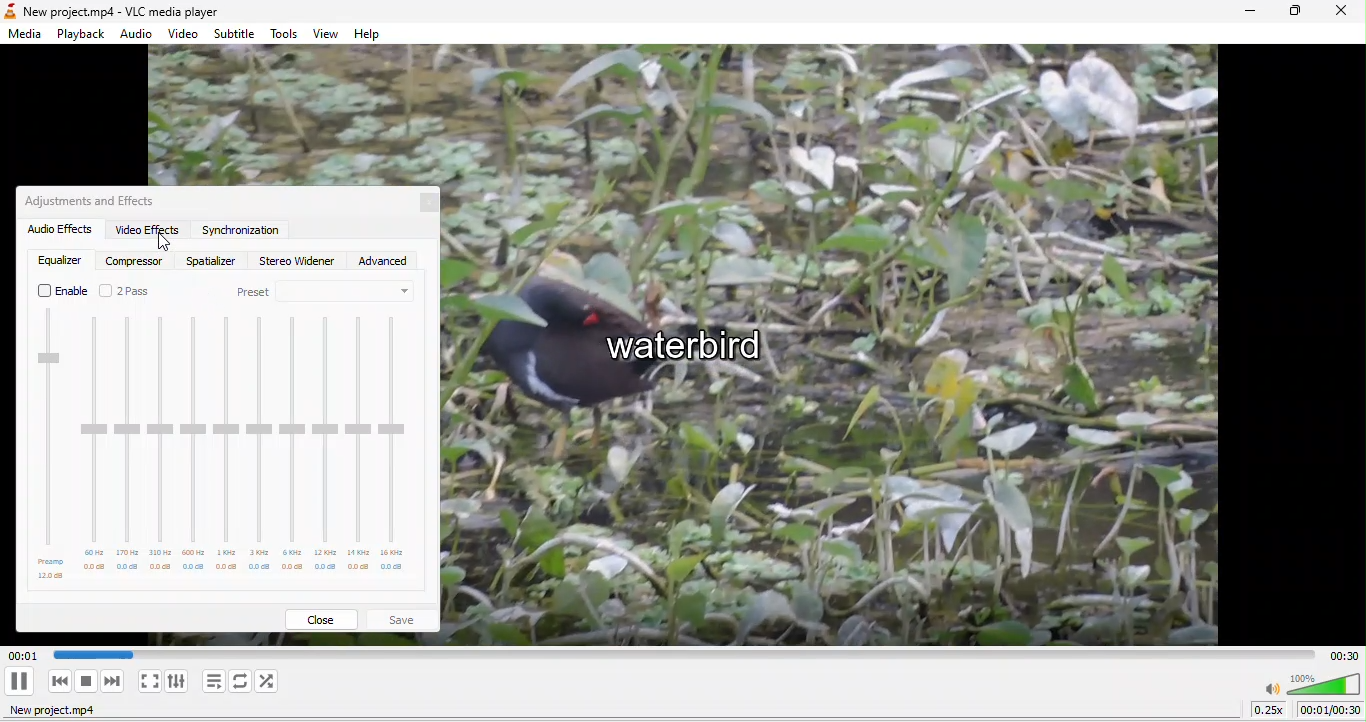  What do you see at coordinates (295, 263) in the screenshot?
I see `stereo widener` at bounding box center [295, 263].